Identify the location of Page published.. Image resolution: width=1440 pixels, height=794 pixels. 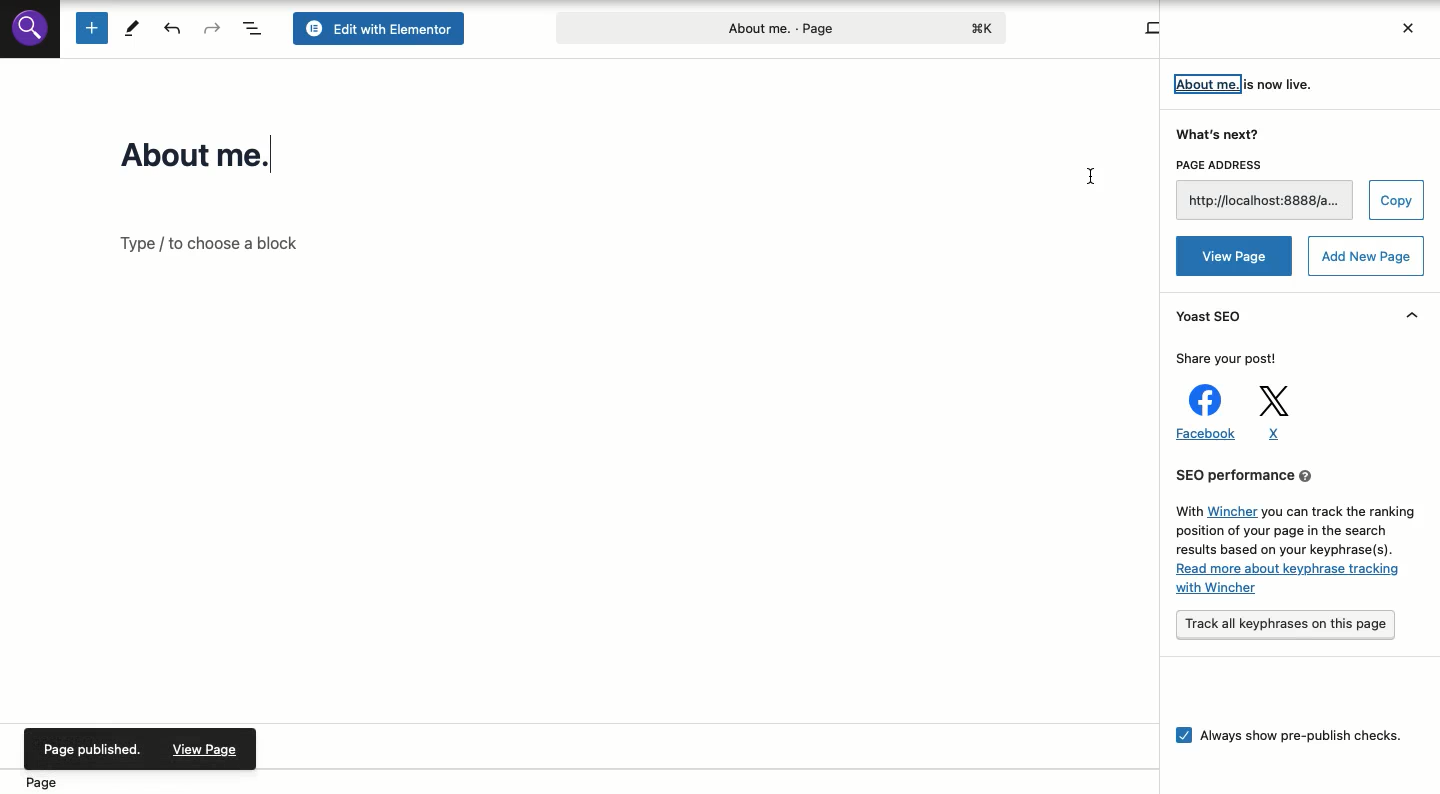
(92, 750).